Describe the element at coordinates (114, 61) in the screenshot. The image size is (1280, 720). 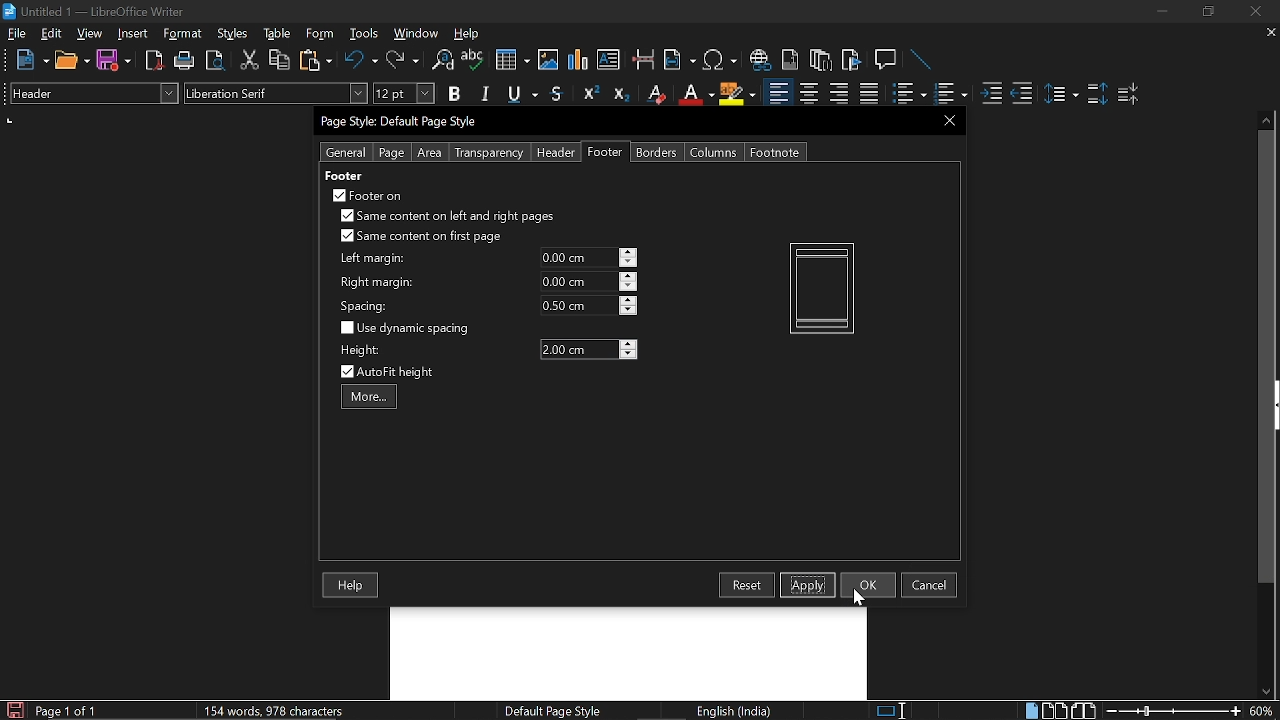
I see `Save` at that location.